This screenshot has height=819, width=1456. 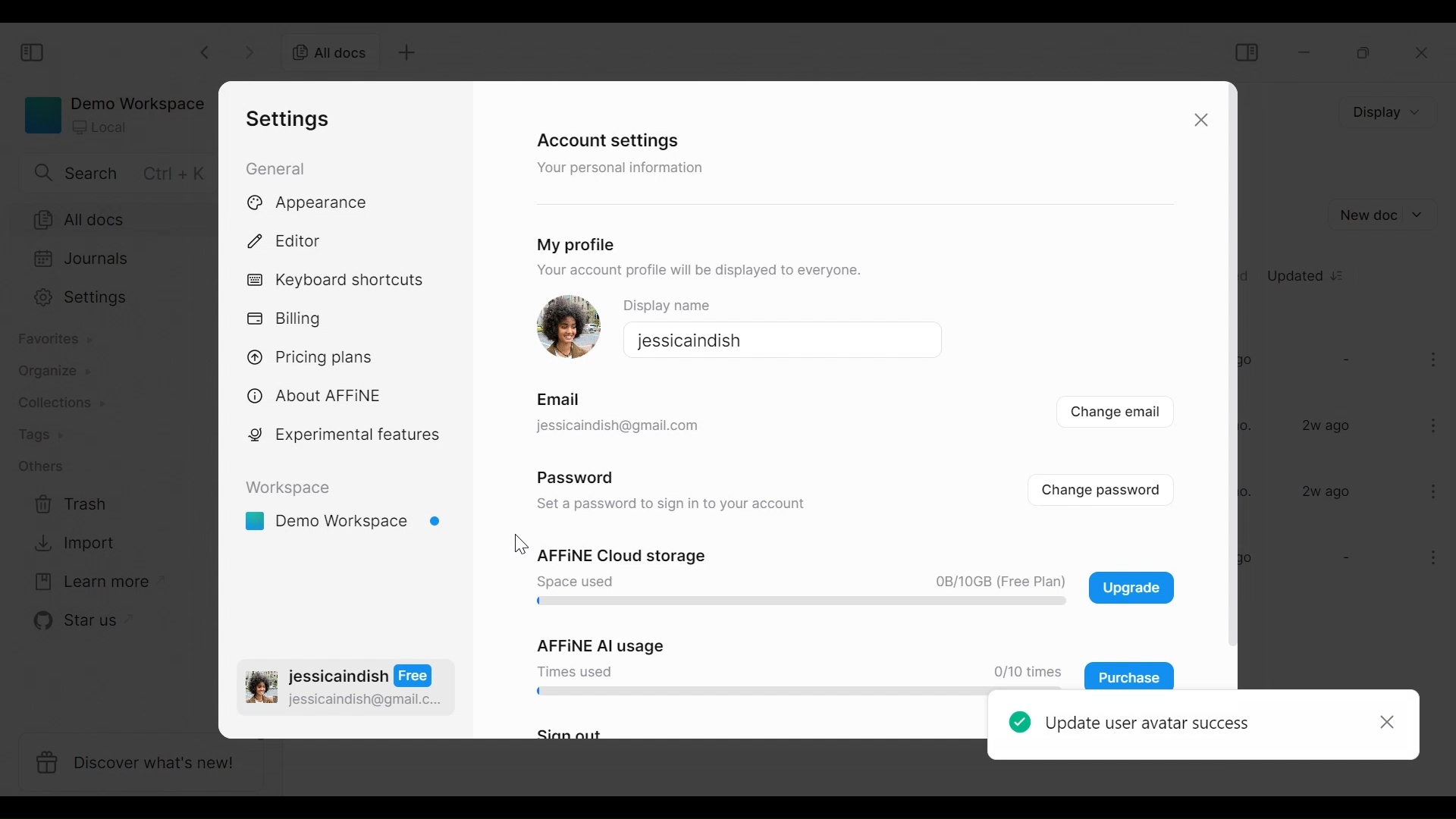 I want to click on more options, so click(x=1427, y=560).